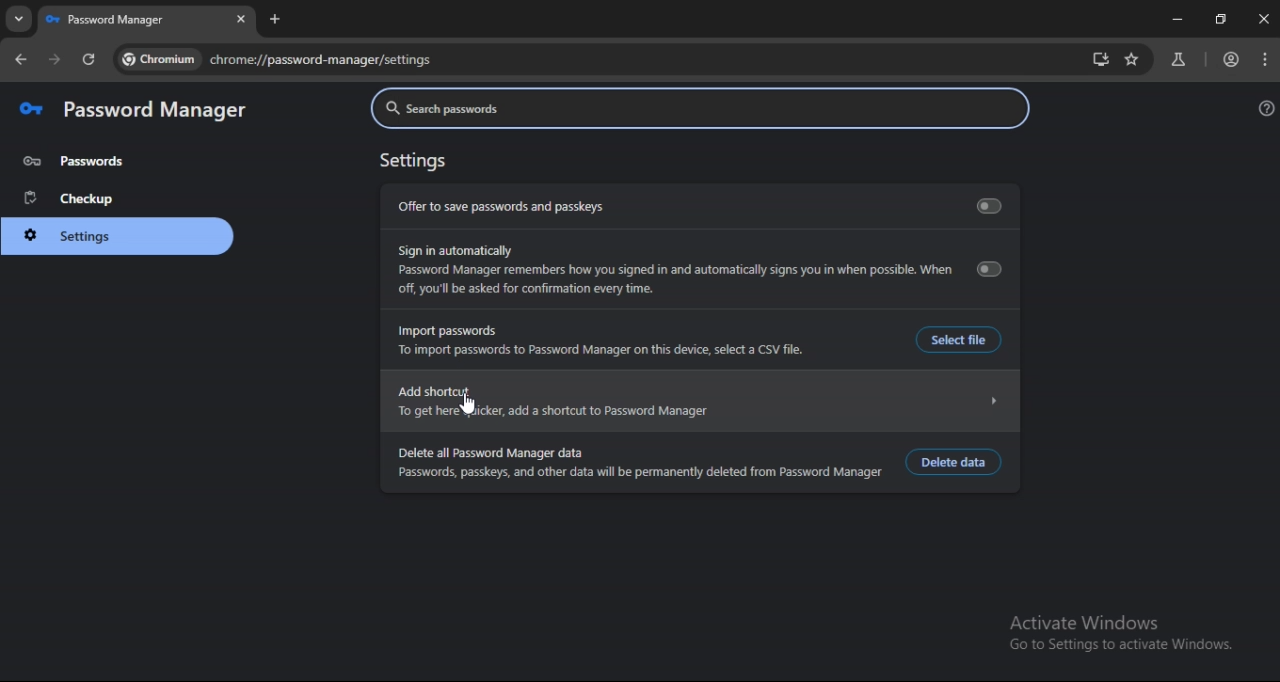 Image resolution: width=1280 pixels, height=682 pixels. Describe the element at coordinates (601, 341) in the screenshot. I see `Import passwords.
To import passwords to Password Manager on this device. select a CSV file.` at that location.